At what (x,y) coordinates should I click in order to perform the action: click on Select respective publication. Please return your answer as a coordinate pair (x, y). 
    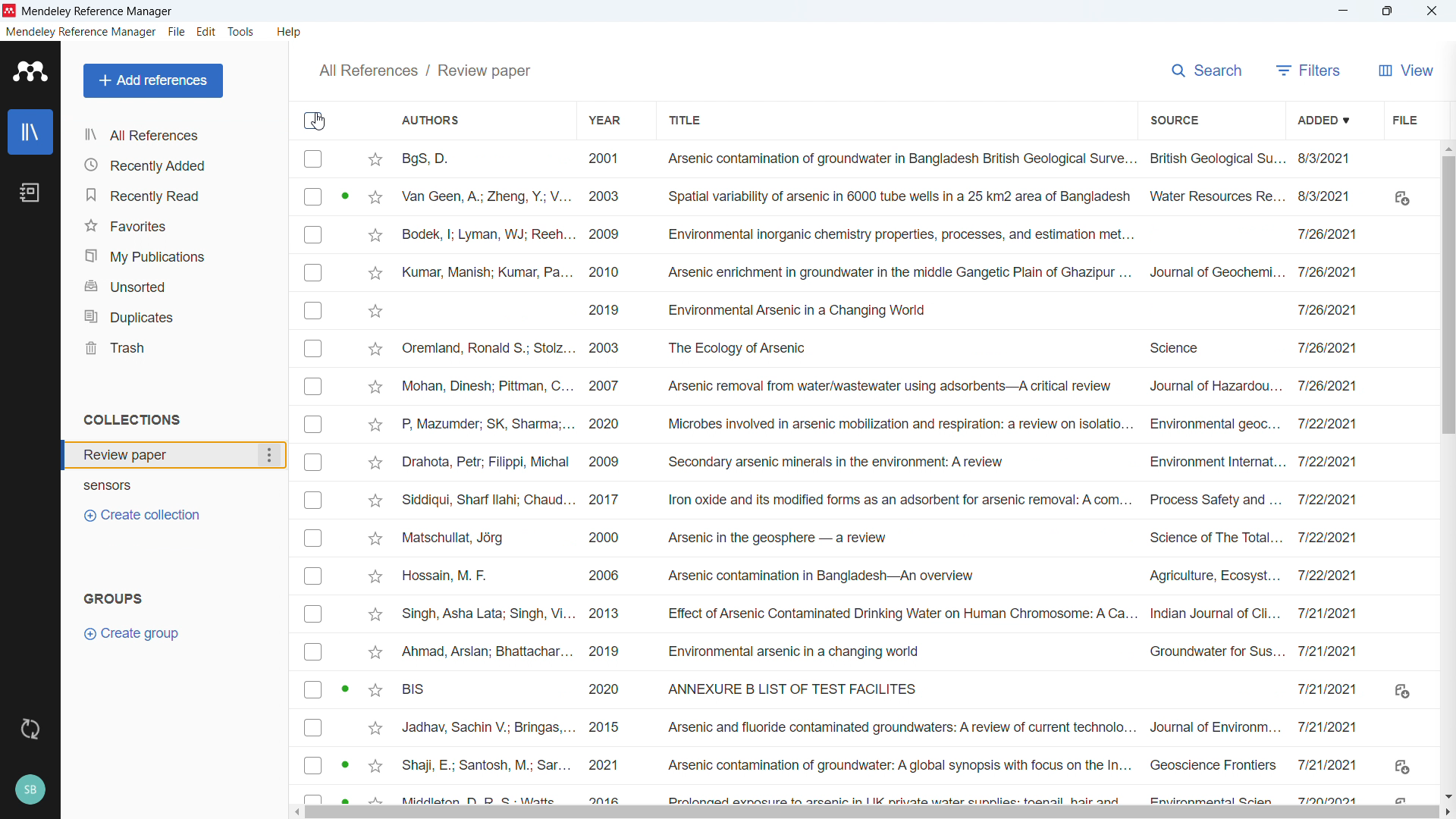
    Looking at the image, I should click on (313, 764).